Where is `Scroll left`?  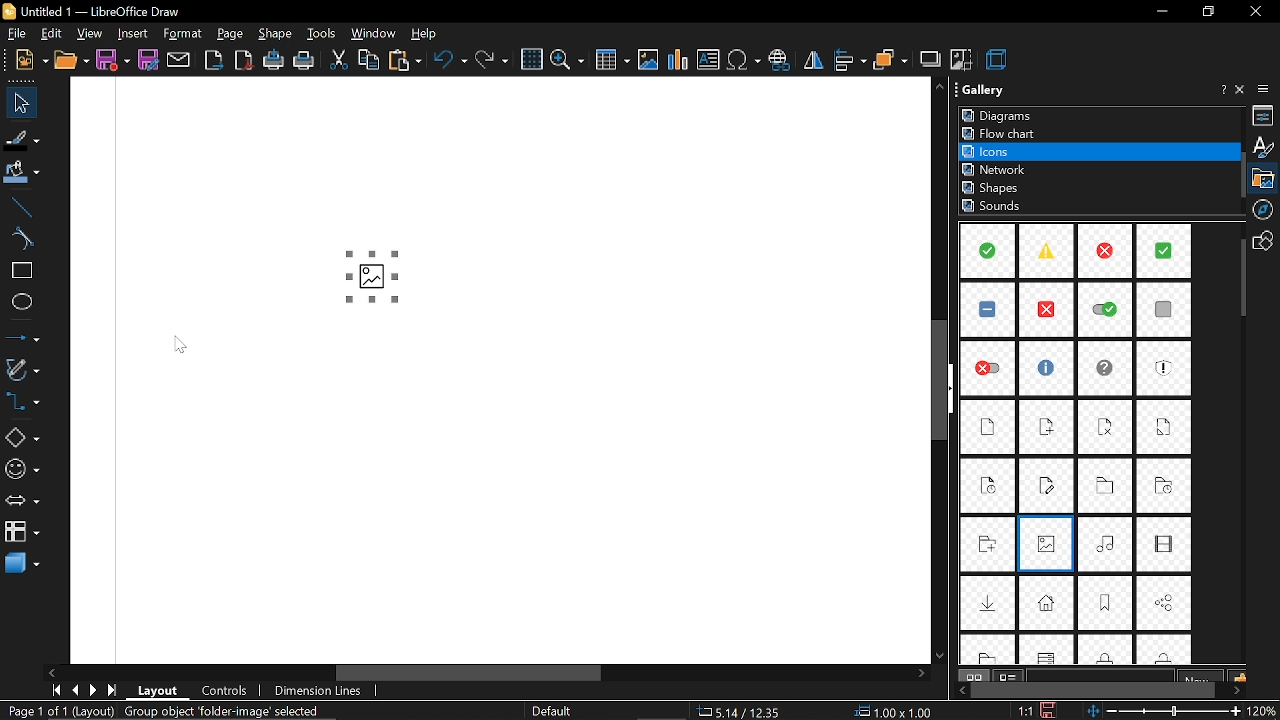
Scroll left is located at coordinates (53, 671).